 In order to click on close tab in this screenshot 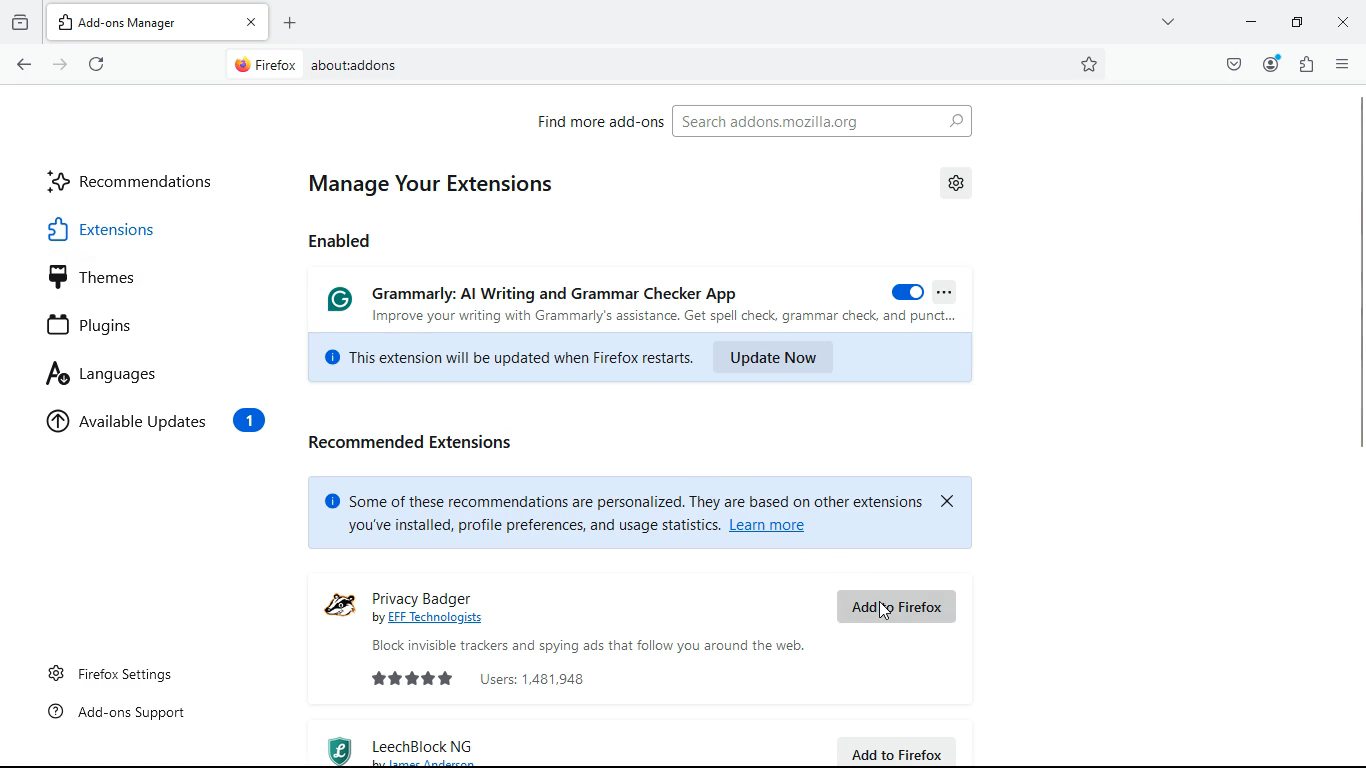, I will do `click(252, 20)`.